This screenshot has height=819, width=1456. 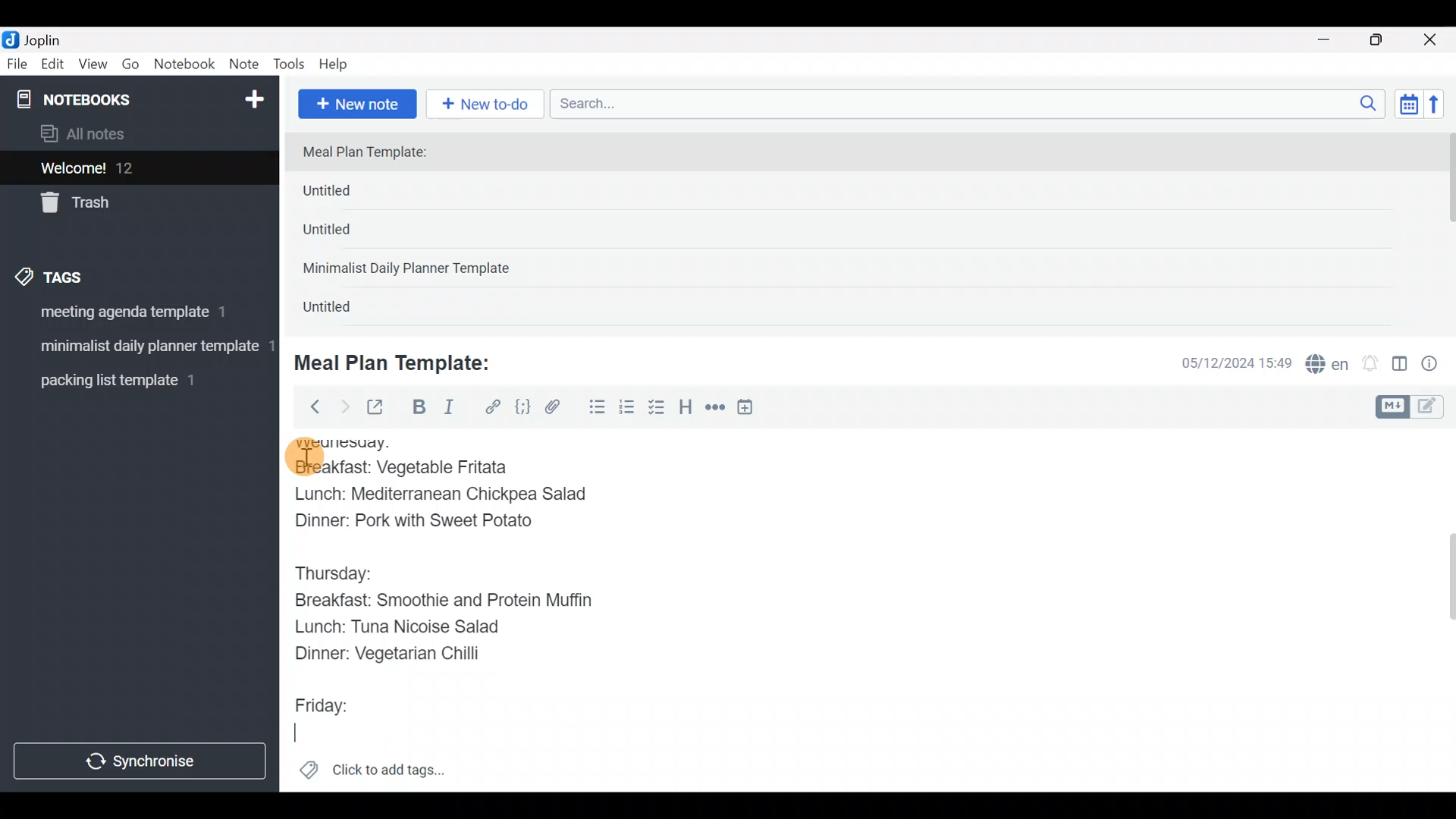 I want to click on Numbered list, so click(x=627, y=410).